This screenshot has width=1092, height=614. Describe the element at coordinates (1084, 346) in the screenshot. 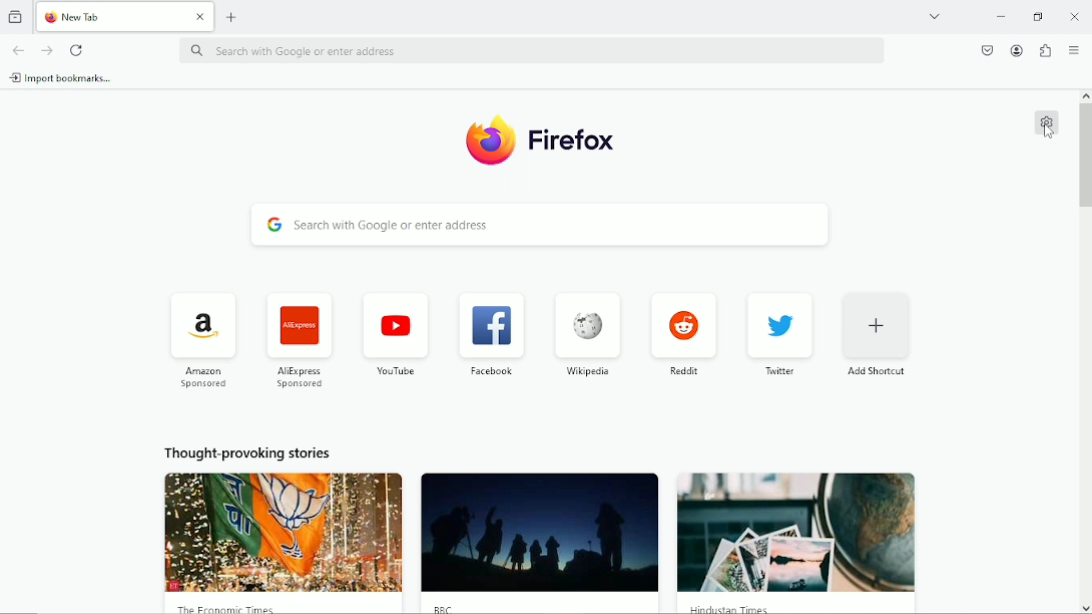

I see `Vertical scrollbar` at that location.